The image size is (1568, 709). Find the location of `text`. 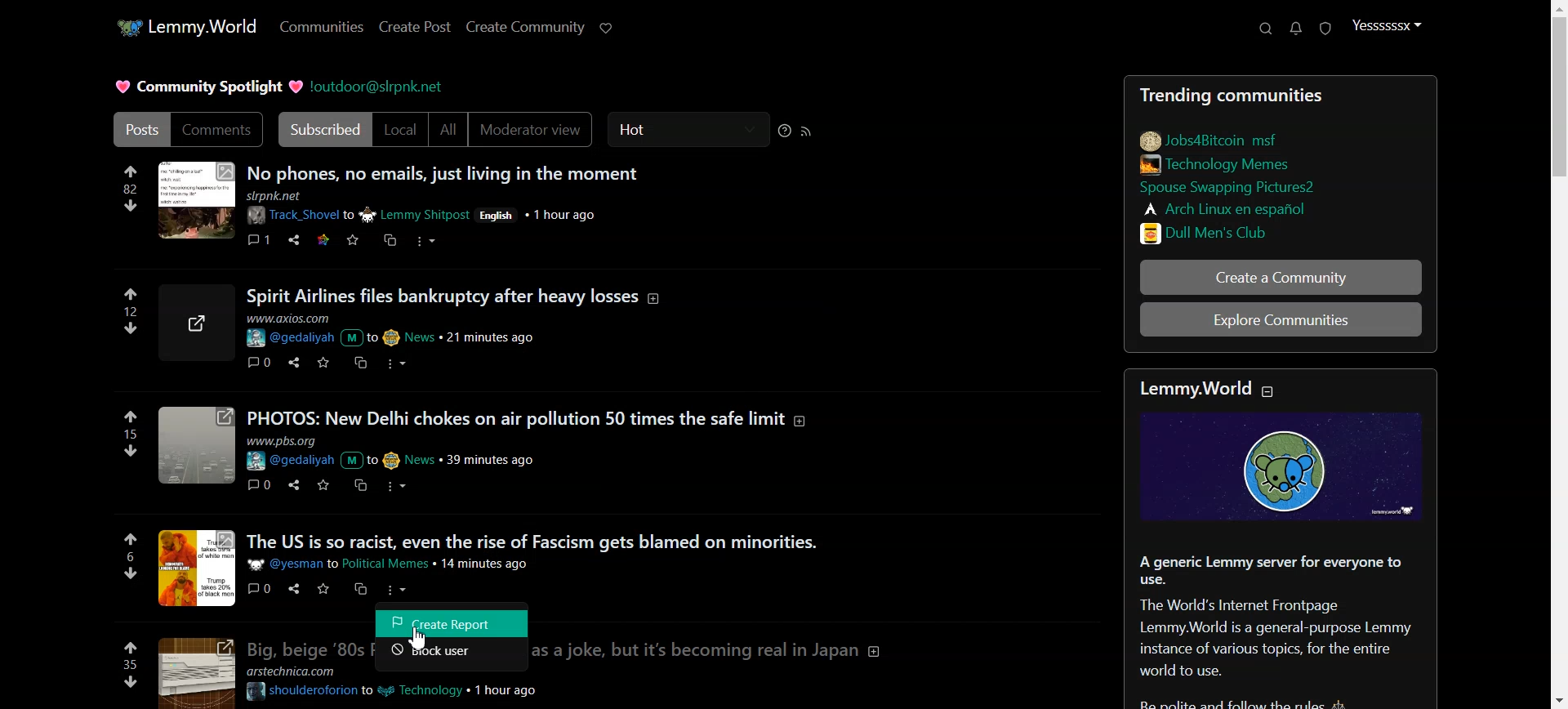

text is located at coordinates (1205, 389).